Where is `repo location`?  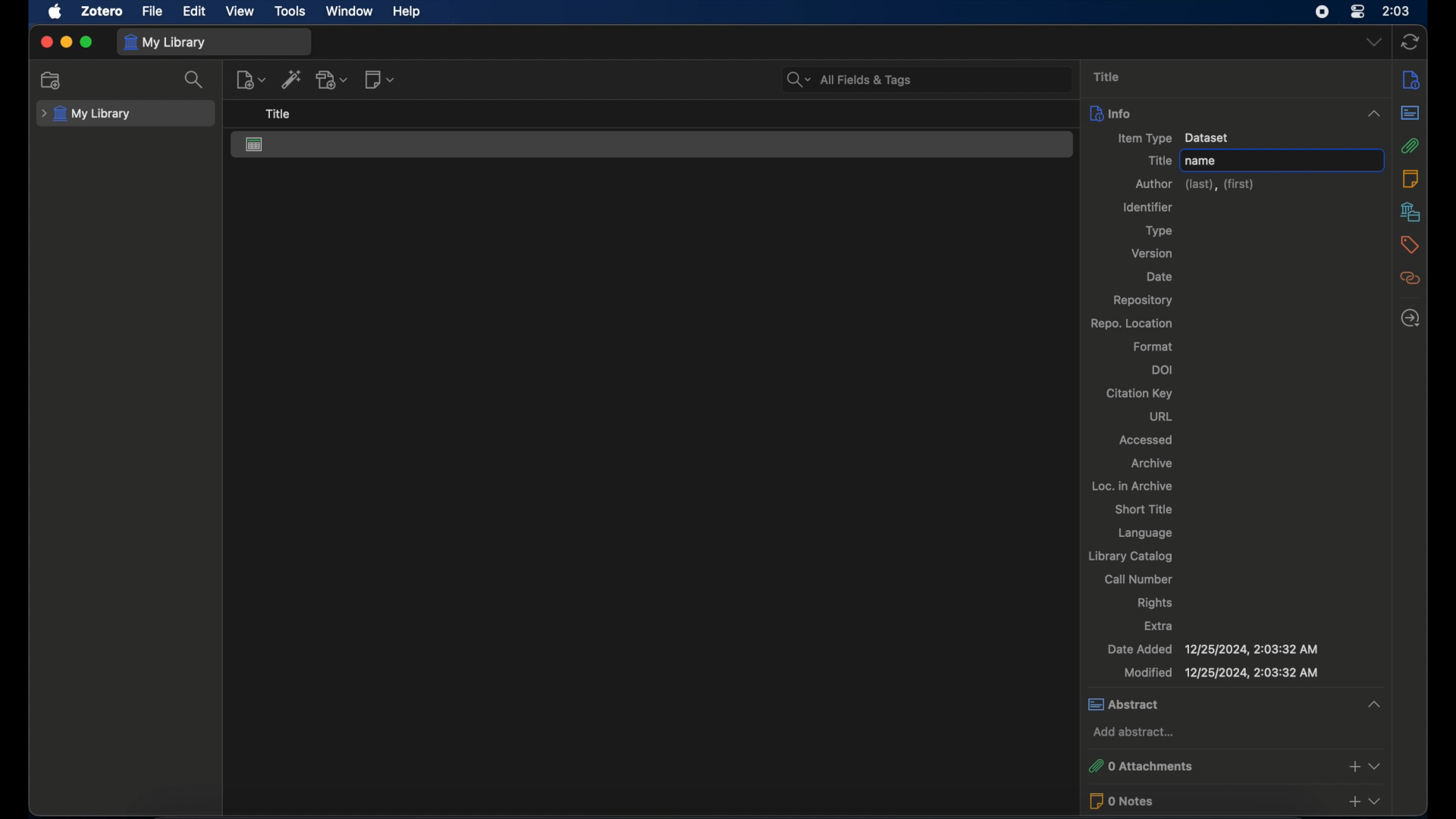
repo location is located at coordinates (1133, 323).